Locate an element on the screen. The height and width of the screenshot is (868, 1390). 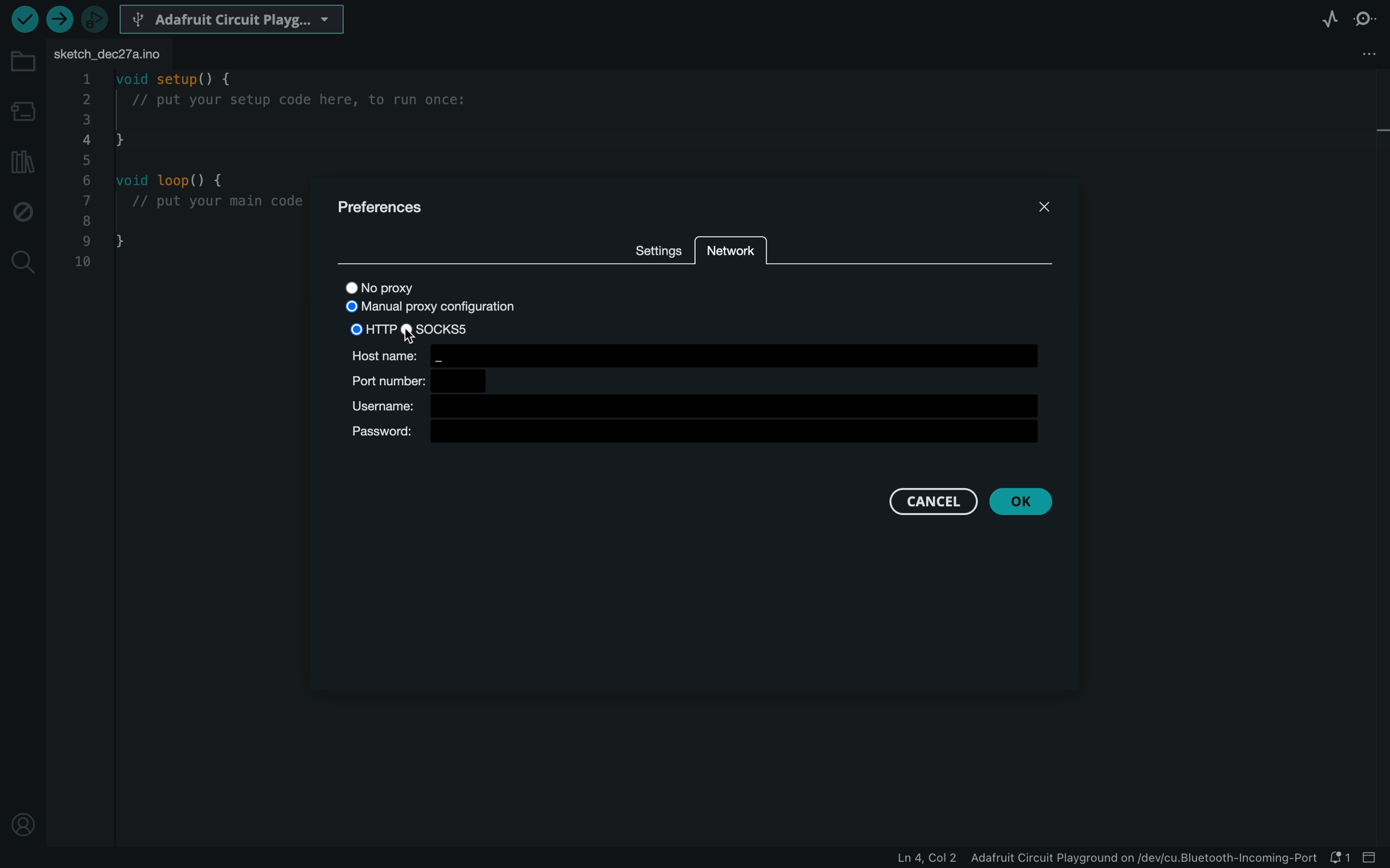
ok is located at coordinates (1030, 503).